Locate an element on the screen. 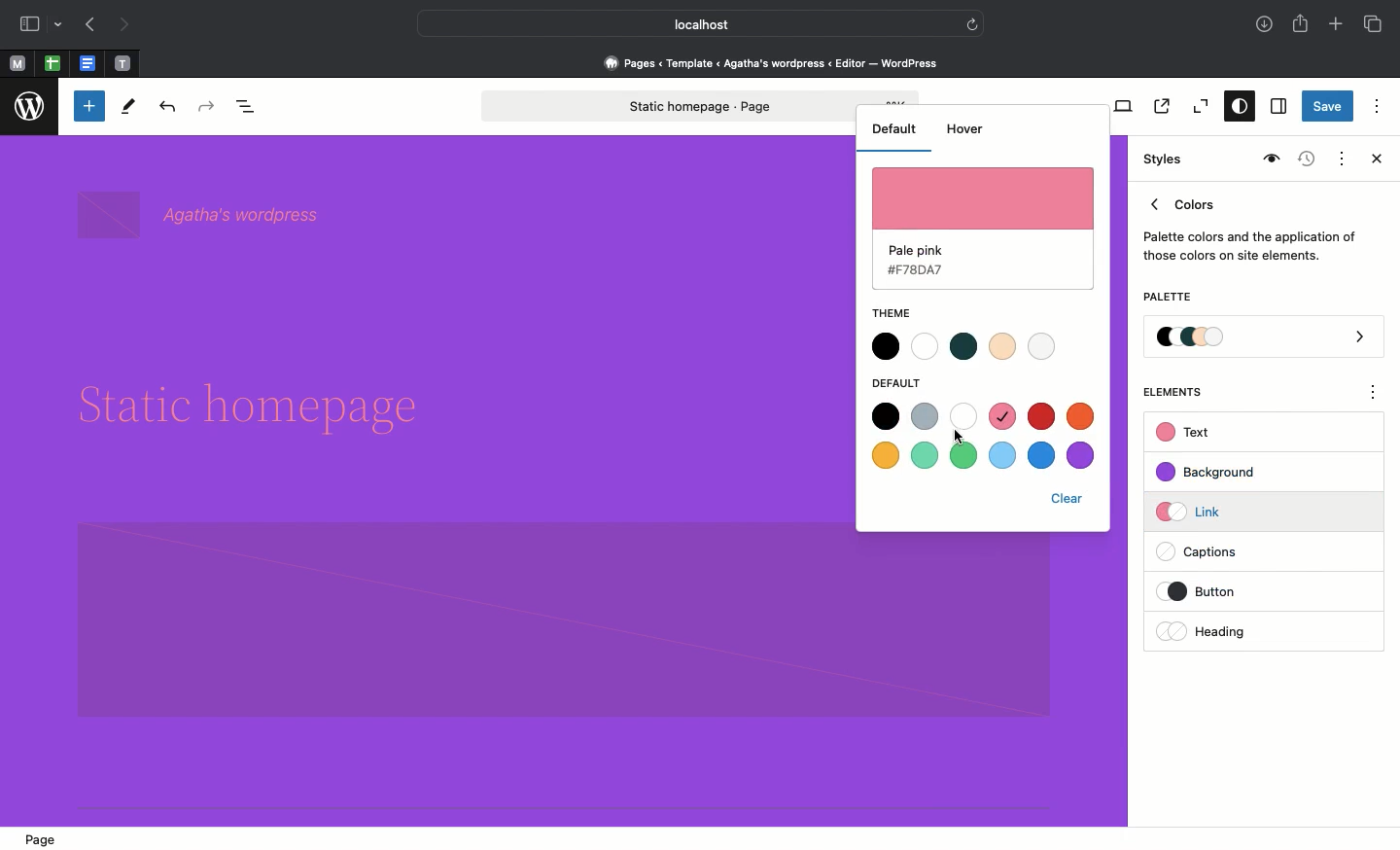  View page is located at coordinates (1160, 106).